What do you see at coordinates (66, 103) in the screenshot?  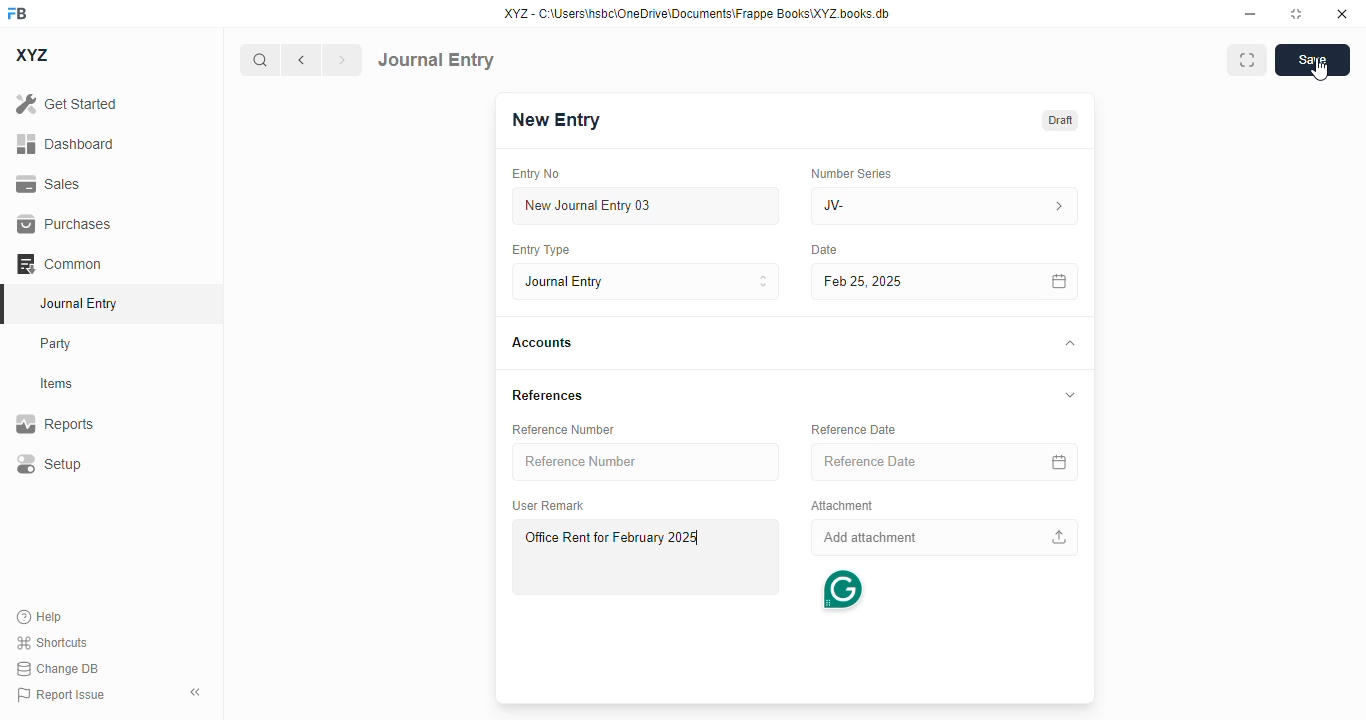 I see `get started` at bounding box center [66, 103].